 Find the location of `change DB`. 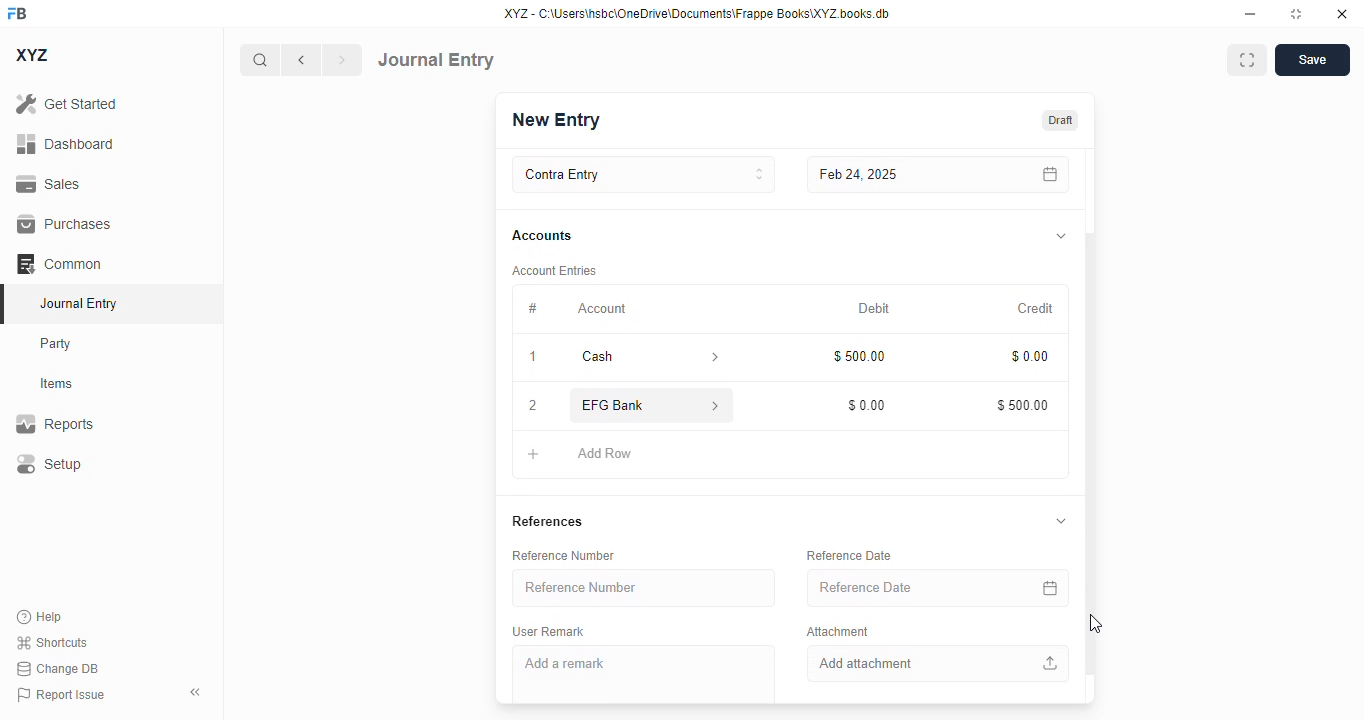

change DB is located at coordinates (57, 668).